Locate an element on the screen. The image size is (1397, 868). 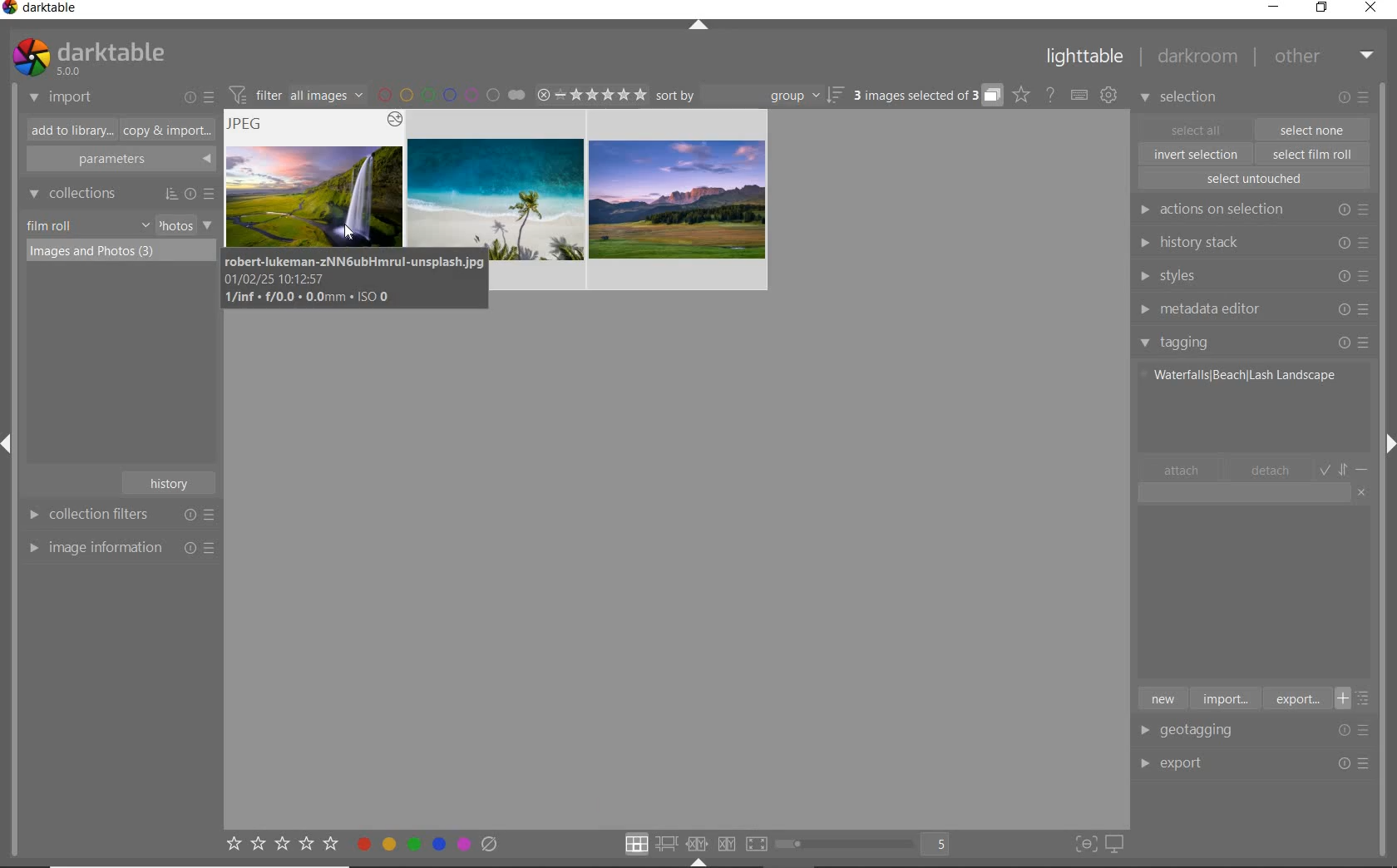
select all is located at coordinates (1196, 128).